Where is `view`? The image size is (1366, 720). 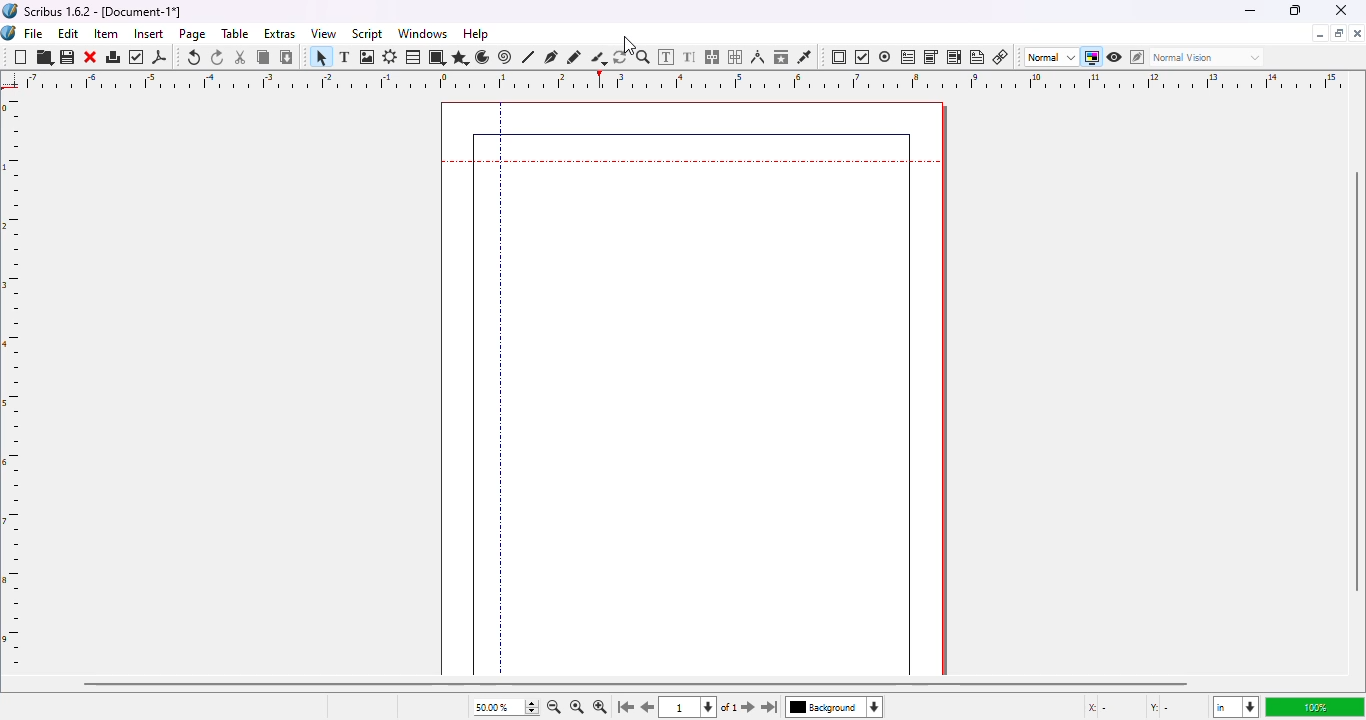 view is located at coordinates (324, 33).